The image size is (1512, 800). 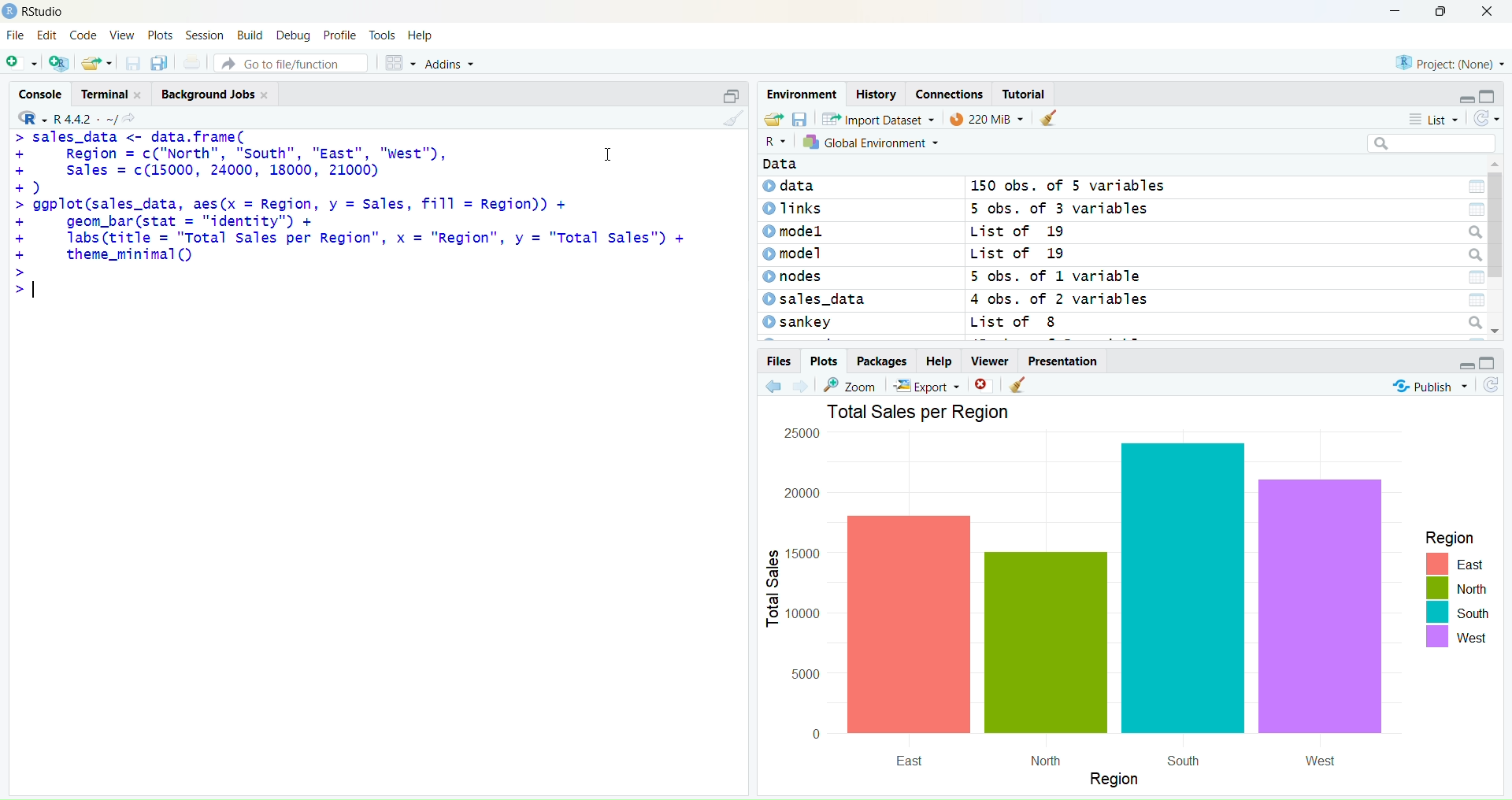 I want to click on Tutorial, so click(x=1032, y=94).